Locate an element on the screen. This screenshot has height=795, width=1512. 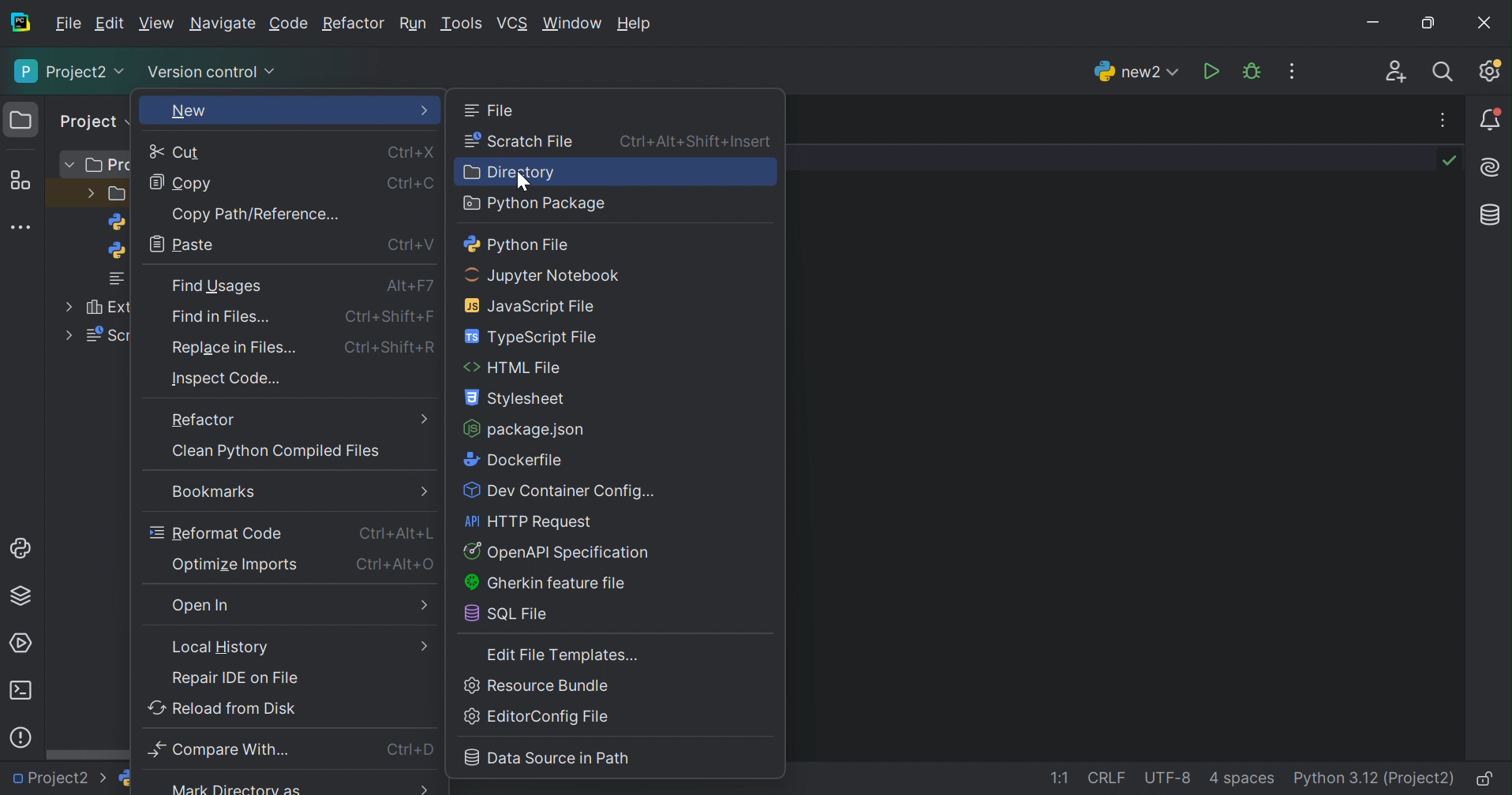
Ctrl+Alt+O is located at coordinates (397, 564).